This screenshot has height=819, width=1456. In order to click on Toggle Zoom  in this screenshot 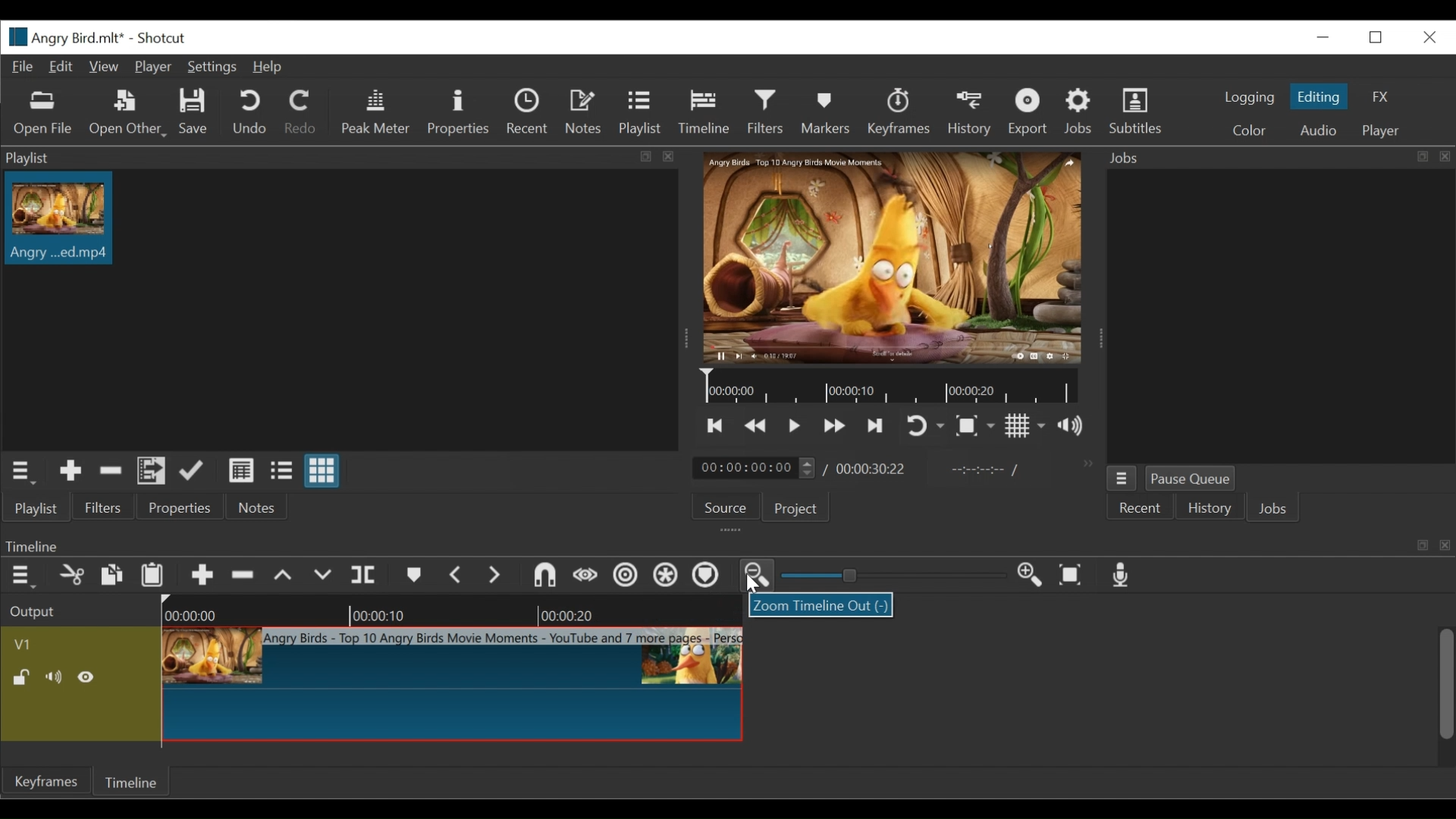, I will do `click(975, 425)`.